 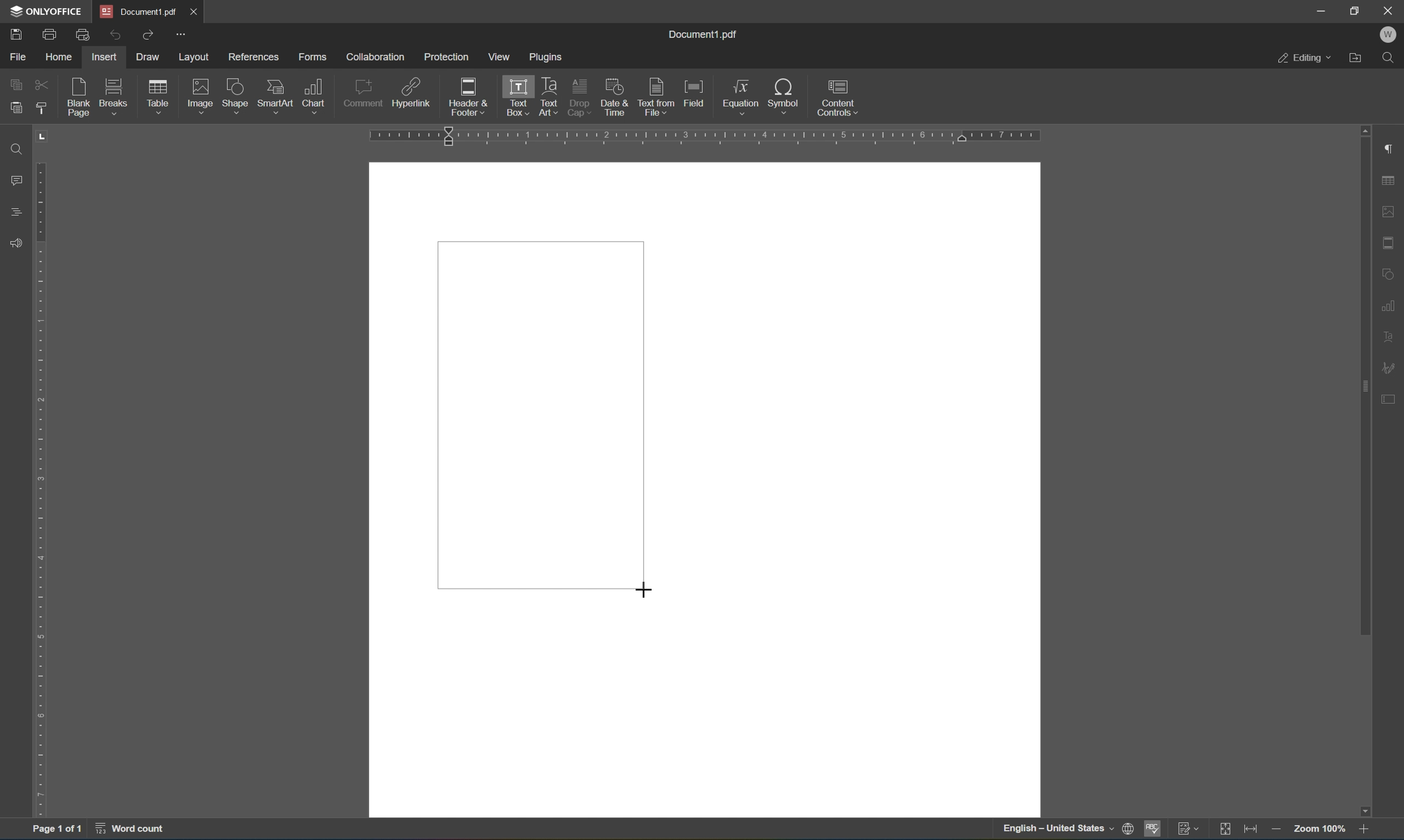 What do you see at coordinates (741, 97) in the screenshot?
I see `equation` at bounding box center [741, 97].